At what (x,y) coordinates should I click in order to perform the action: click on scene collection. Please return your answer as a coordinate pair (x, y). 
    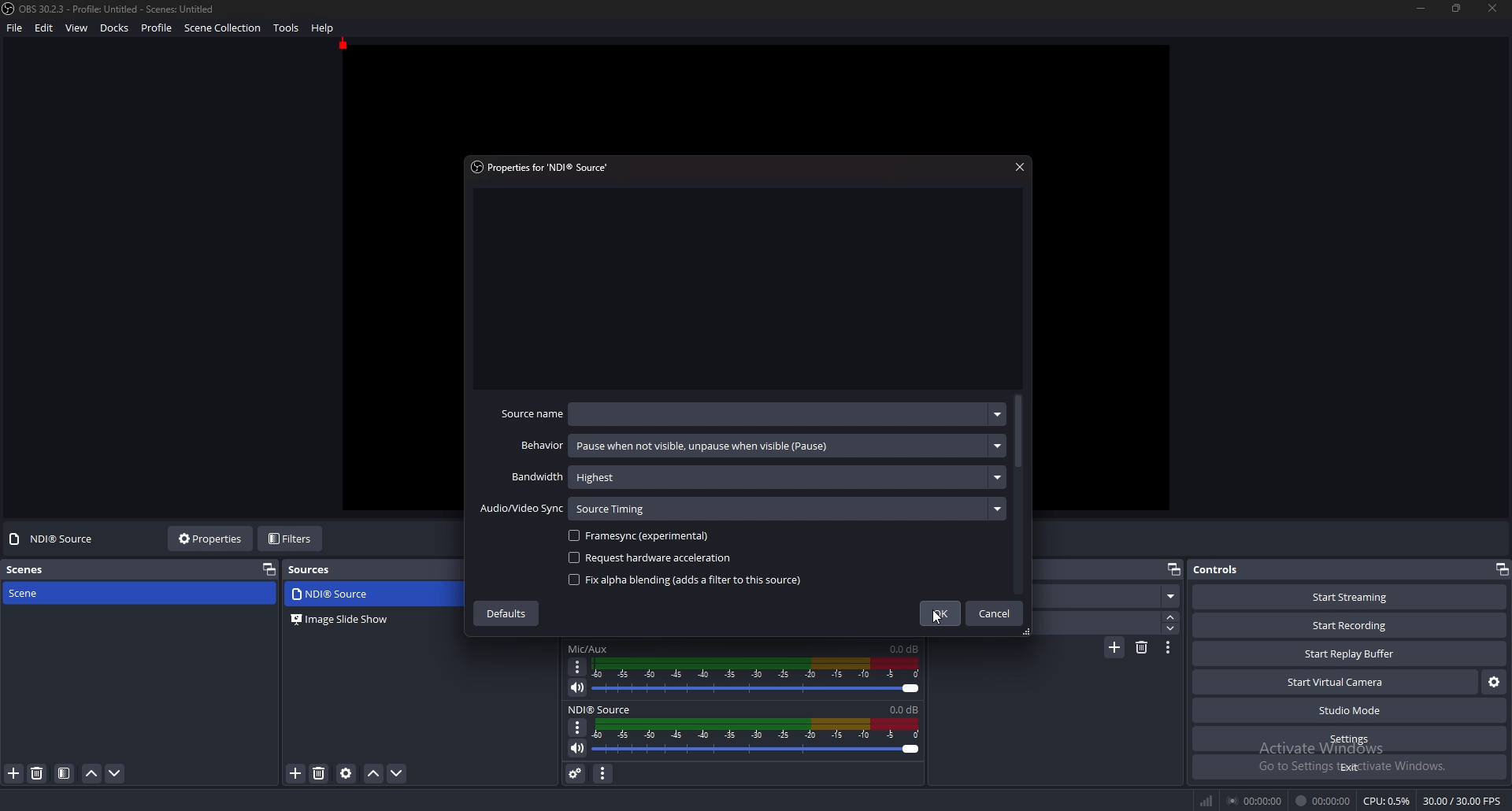
    Looking at the image, I should click on (224, 27).